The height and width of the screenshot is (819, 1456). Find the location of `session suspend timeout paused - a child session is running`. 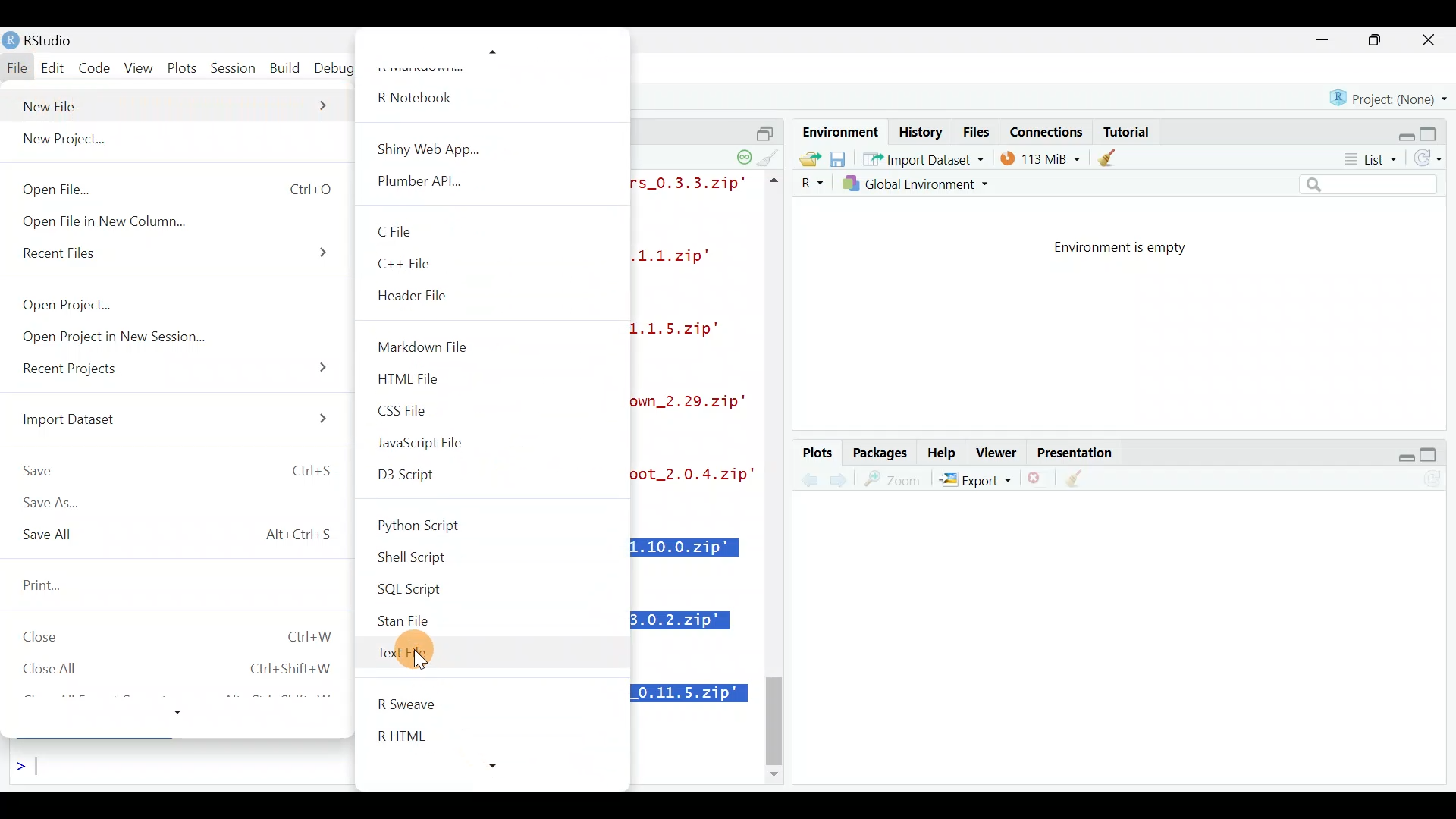

session suspend timeout paused - a child session is running is located at coordinates (743, 152).